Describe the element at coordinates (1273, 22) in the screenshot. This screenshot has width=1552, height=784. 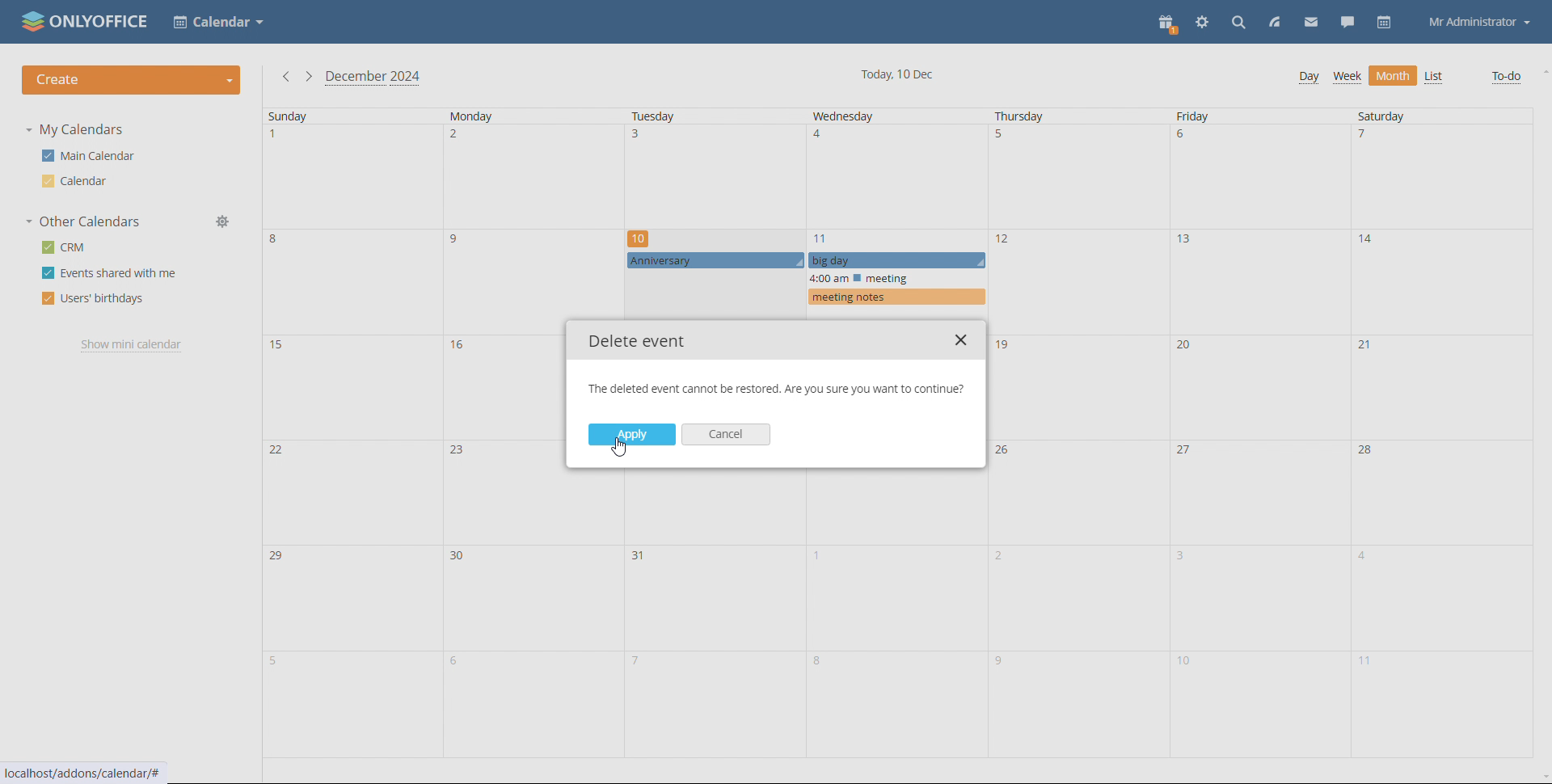
I see `feed` at that location.